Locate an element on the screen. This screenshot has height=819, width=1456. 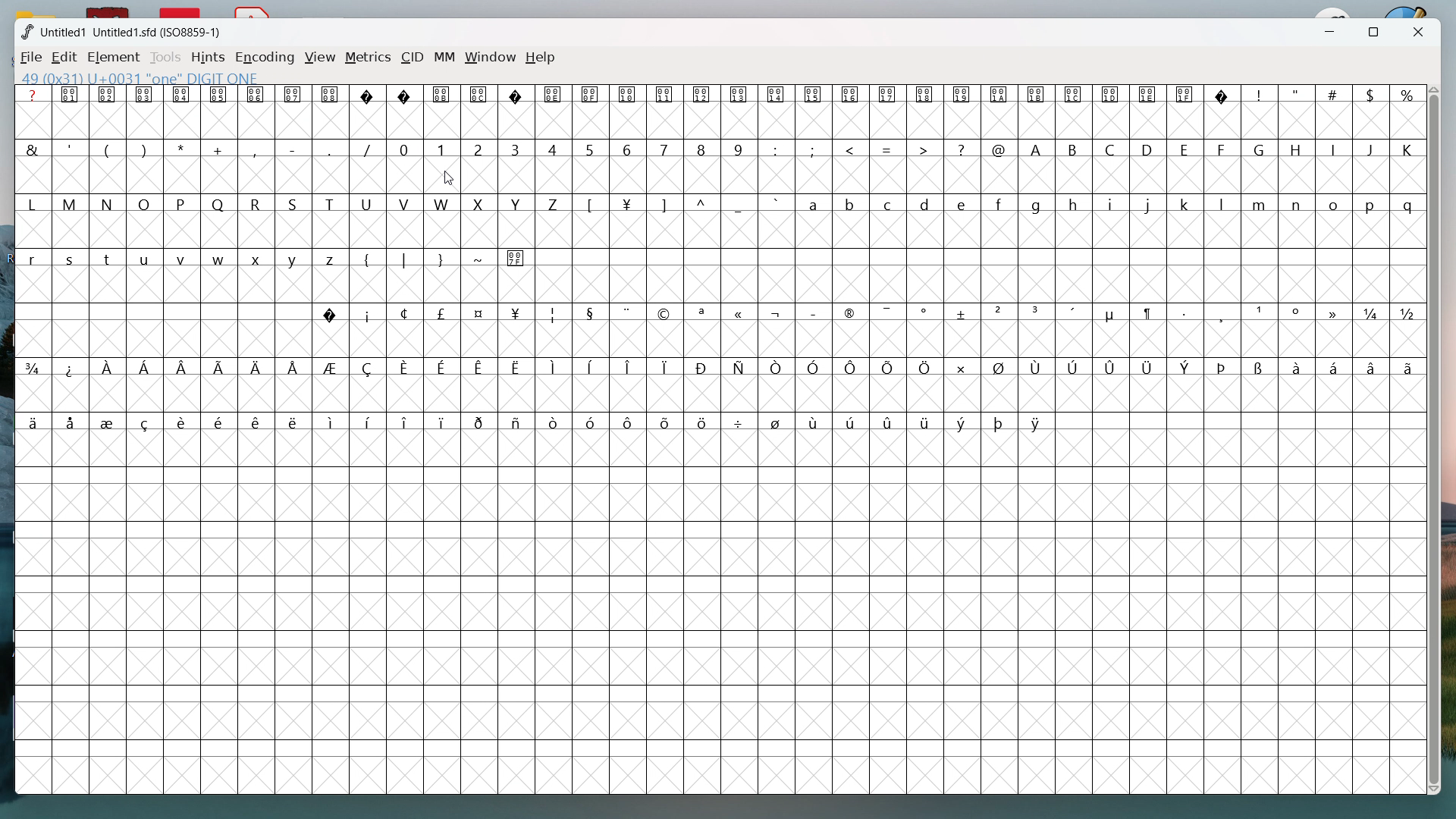
symbol is located at coordinates (443, 422).